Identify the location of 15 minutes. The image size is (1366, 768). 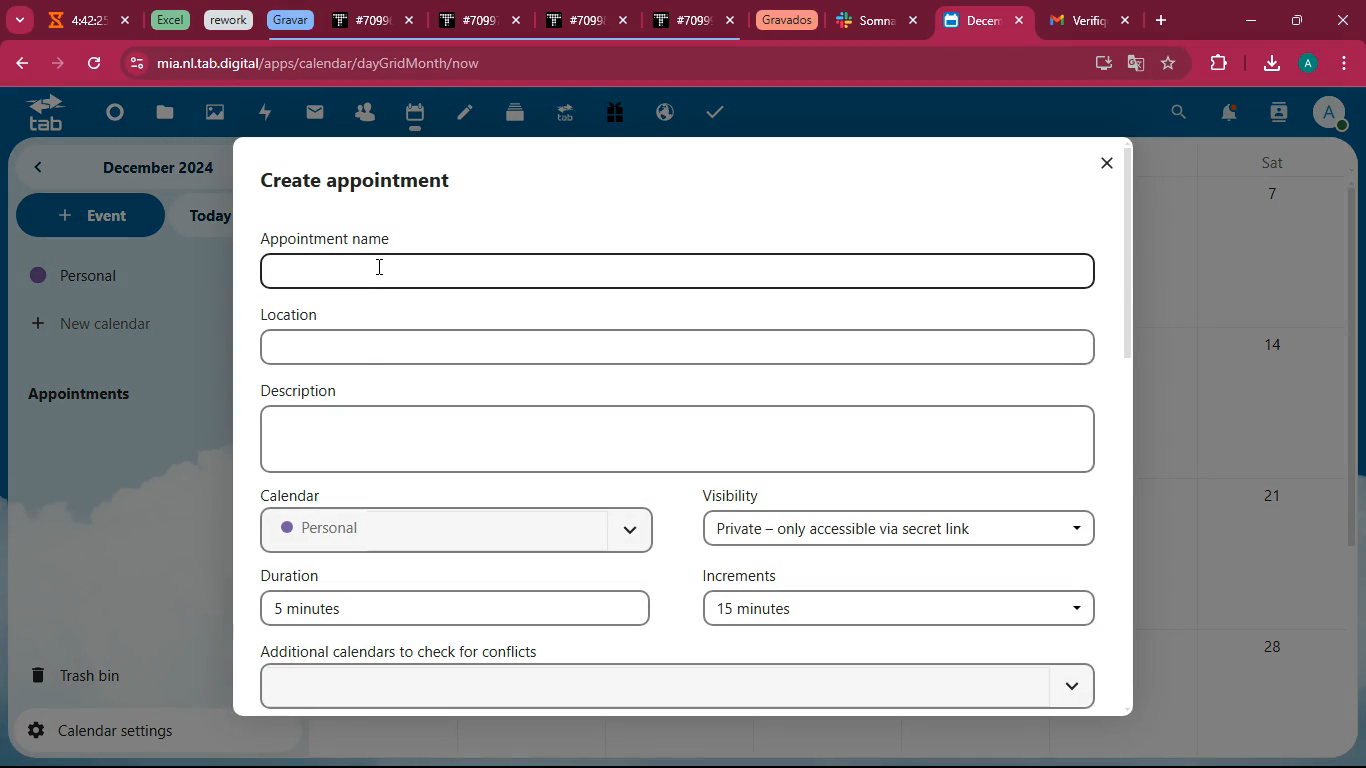
(896, 611).